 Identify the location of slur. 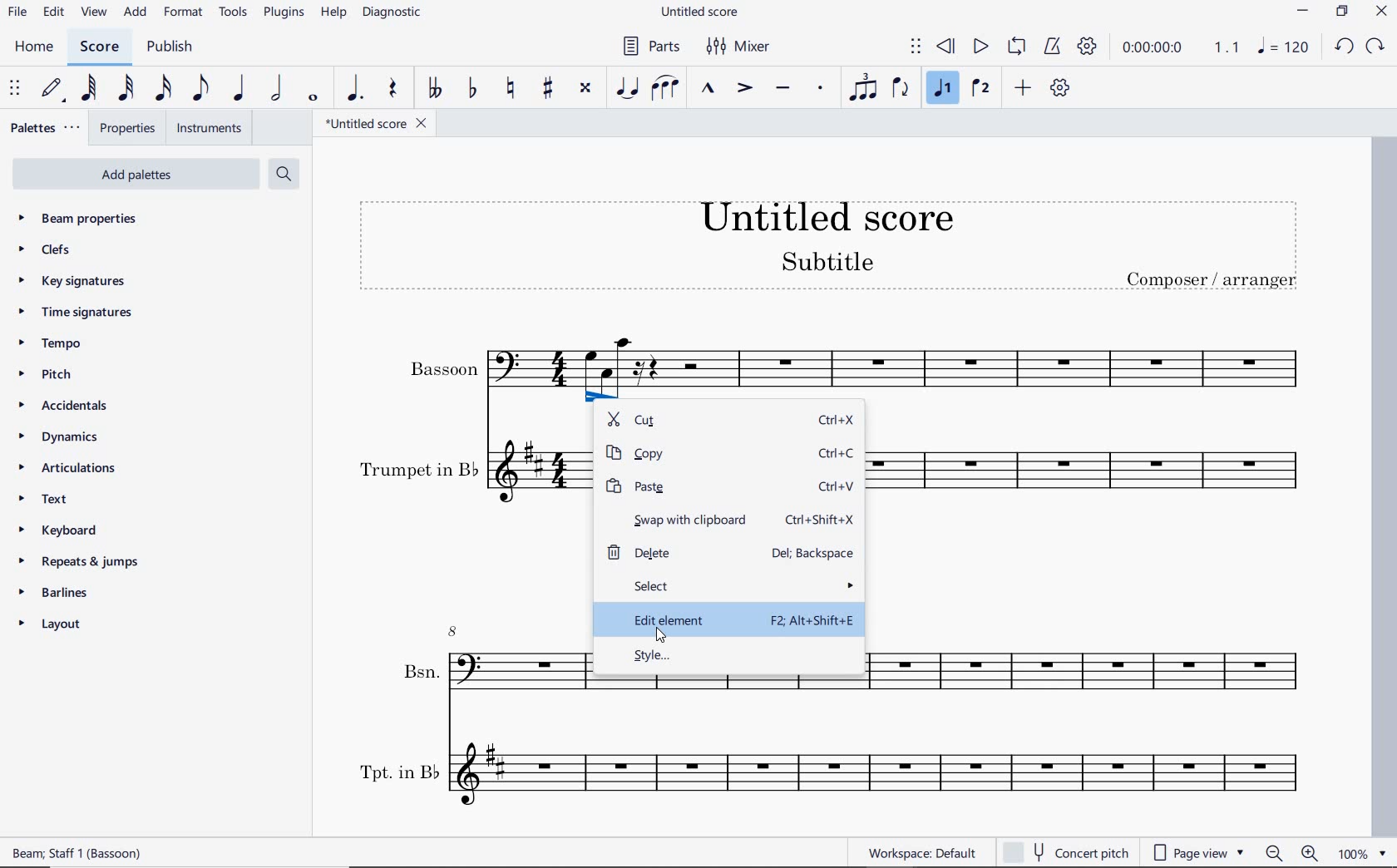
(666, 87).